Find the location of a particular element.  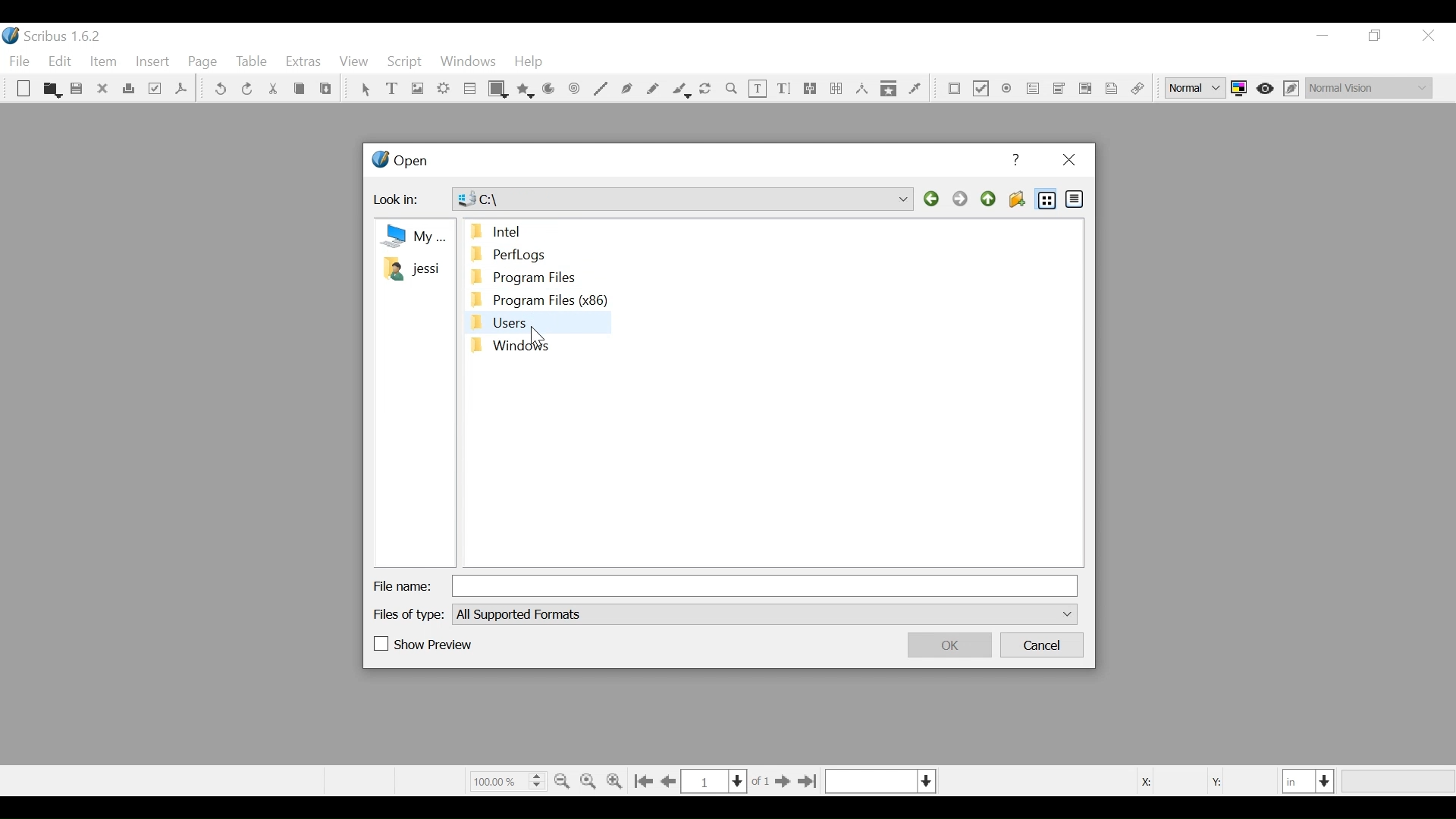

Table is located at coordinates (253, 63).